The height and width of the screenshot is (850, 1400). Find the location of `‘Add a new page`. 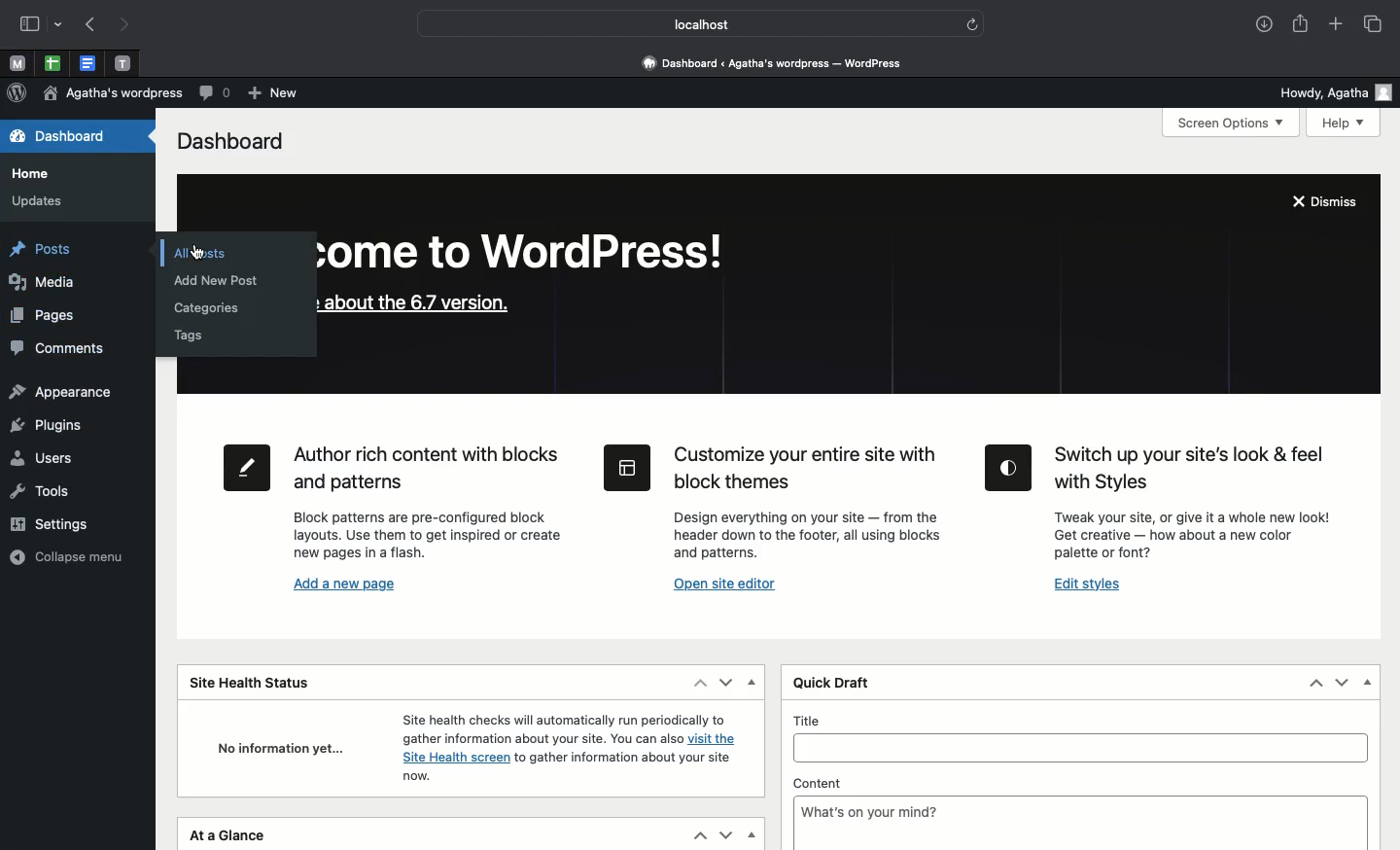

‘Add a new page is located at coordinates (344, 585).